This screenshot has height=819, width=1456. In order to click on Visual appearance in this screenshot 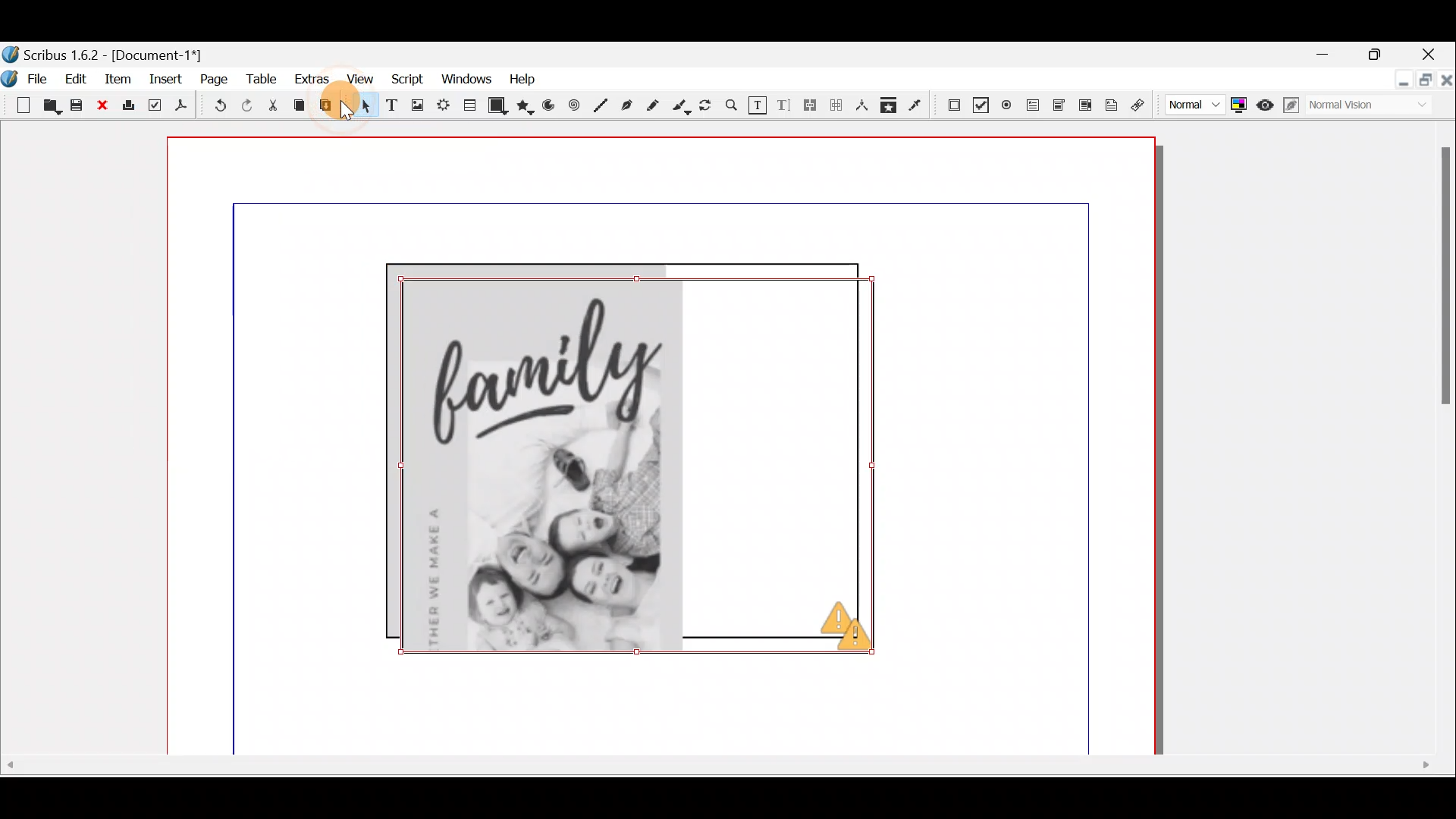, I will do `click(1367, 108)`.